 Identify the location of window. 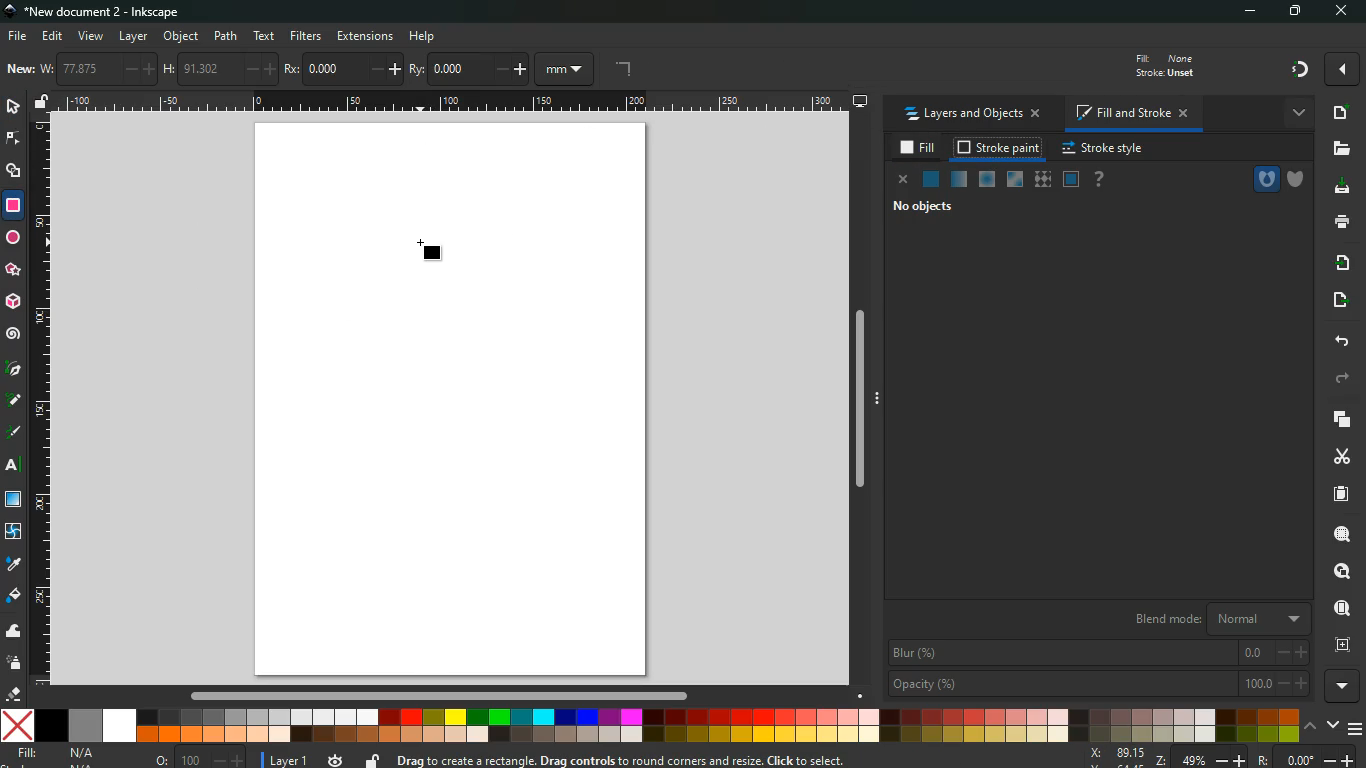
(1014, 181).